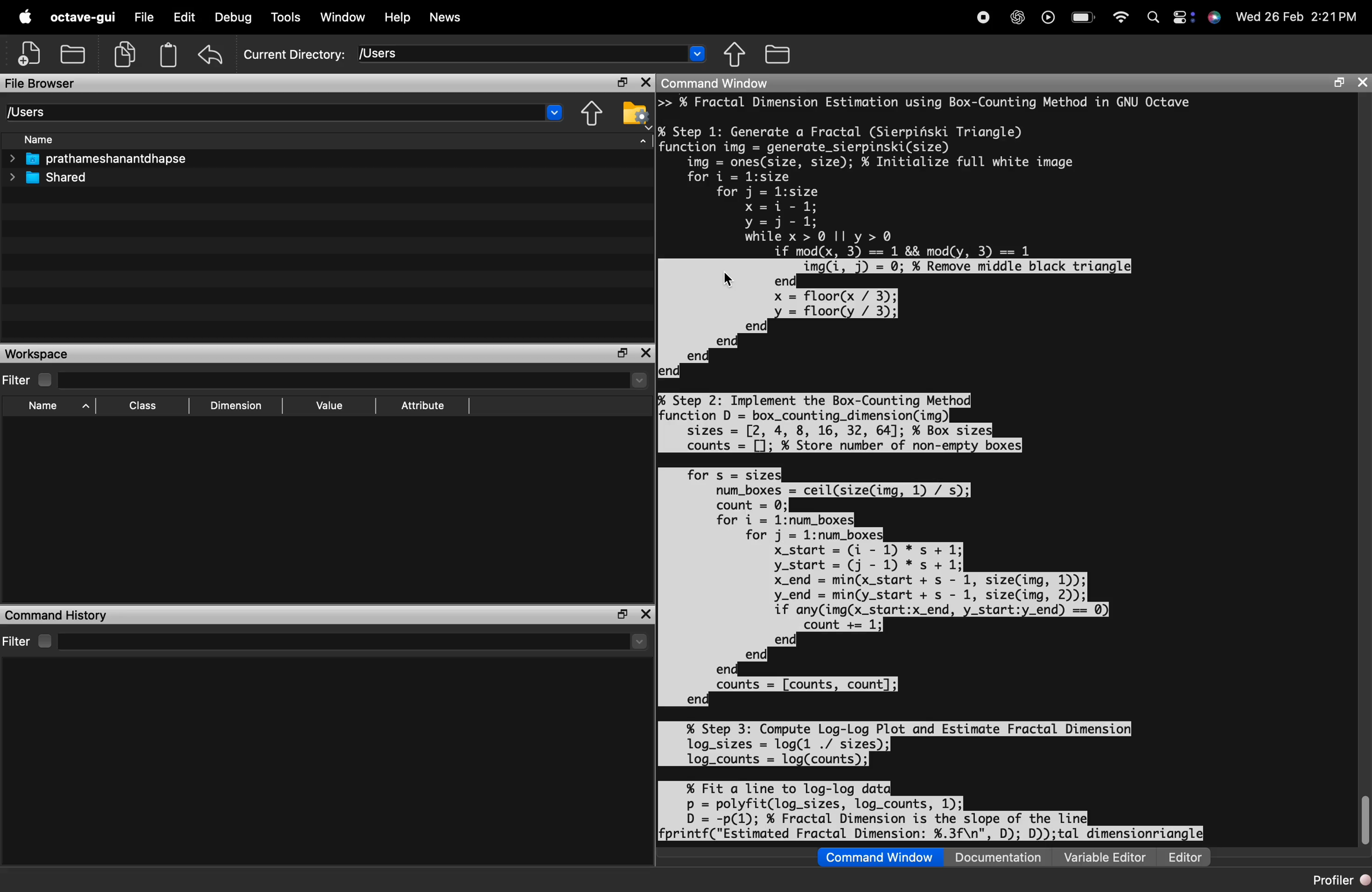 Image resolution: width=1372 pixels, height=892 pixels. Describe the element at coordinates (514, 54) in the screenshot. I see `enter directory name` at that location.